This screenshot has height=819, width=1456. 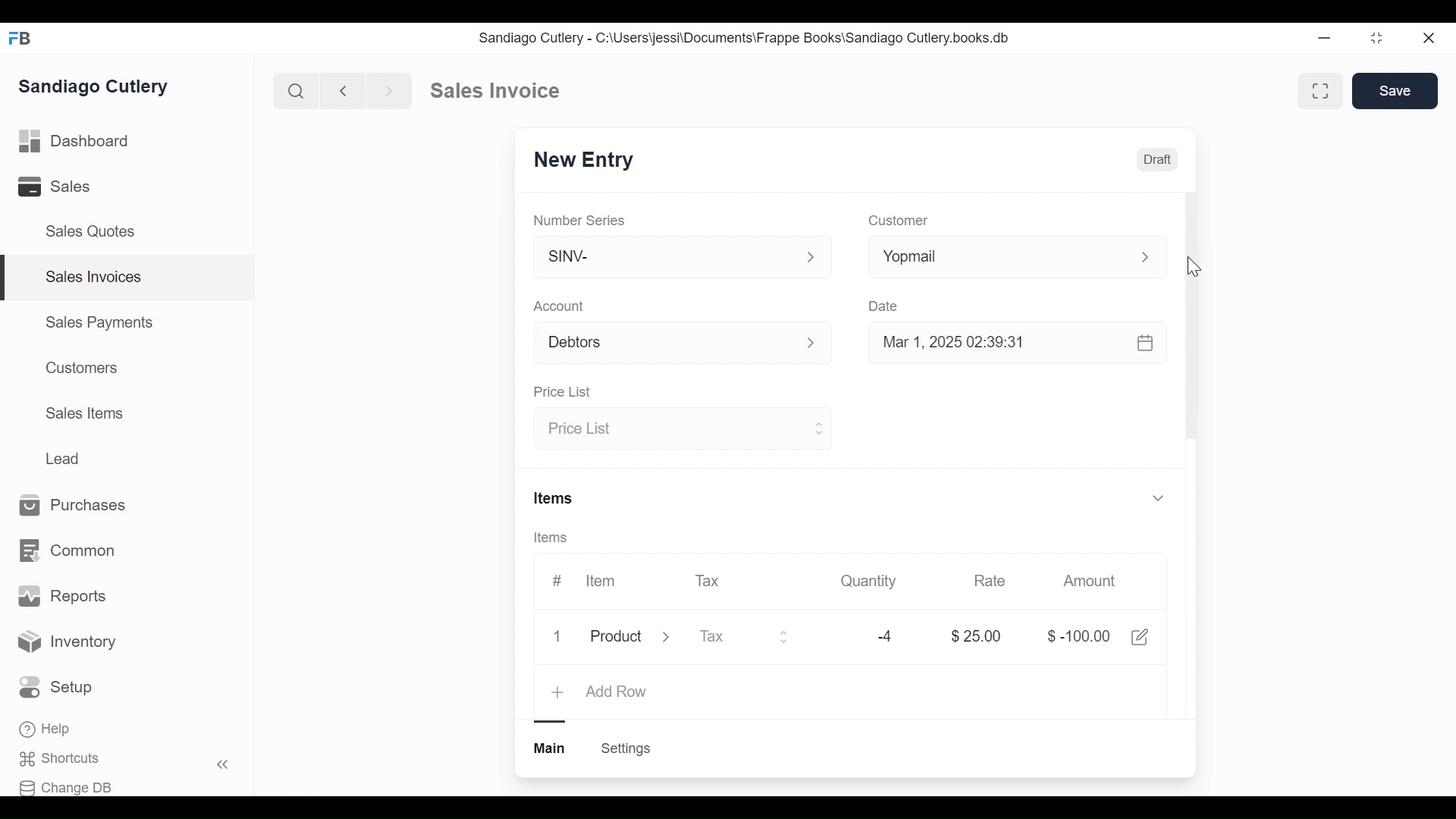 What do you see at coordinates (1377, 39) in the screenshot?
I see `Toggle between form and full width` at bounding box center [1377, 39].